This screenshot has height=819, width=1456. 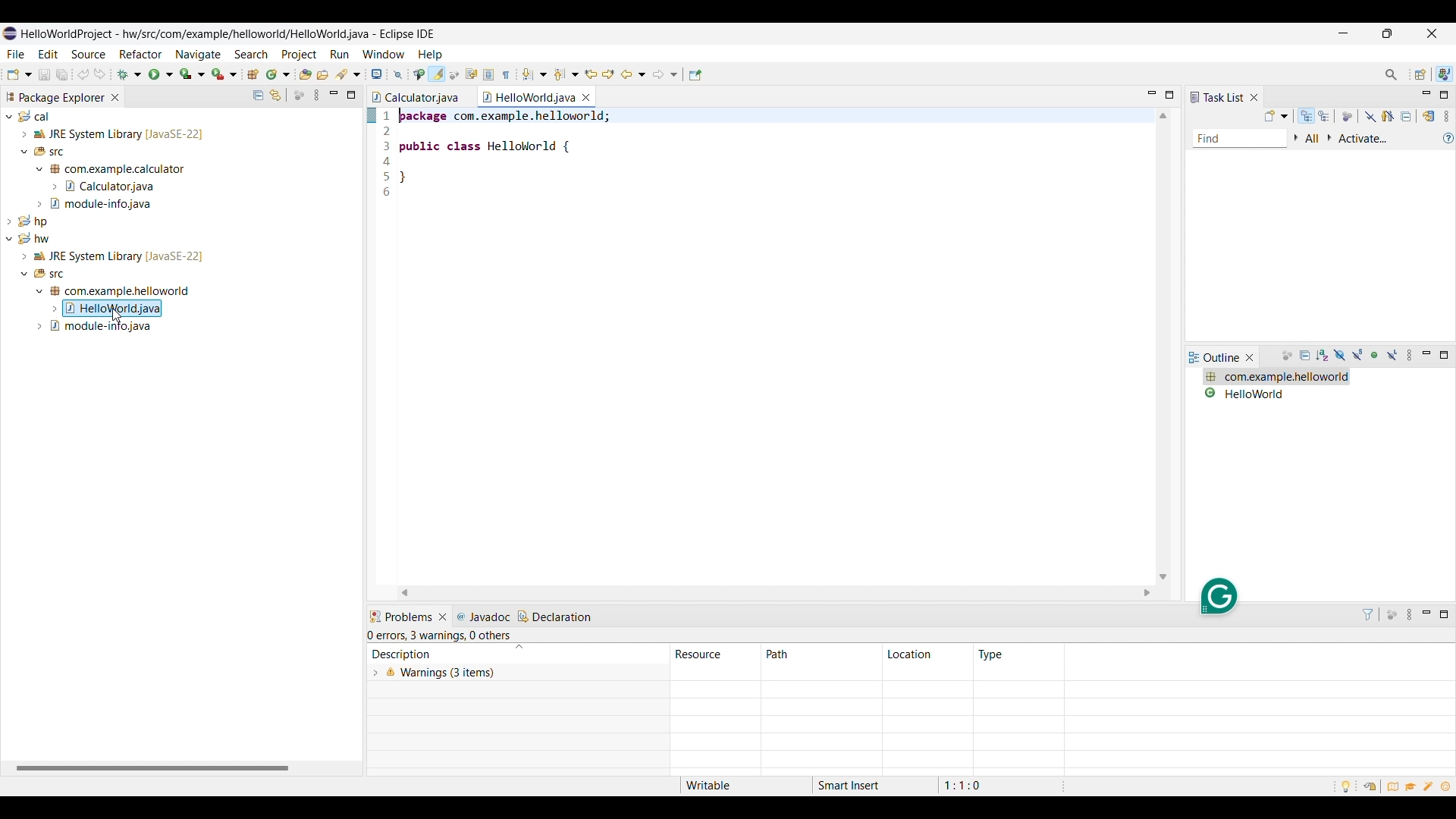 What do you see at coordinates (1307, 116) in the screenshot?
I see `Categorized, current selection` at bounding box center [1307, 116].